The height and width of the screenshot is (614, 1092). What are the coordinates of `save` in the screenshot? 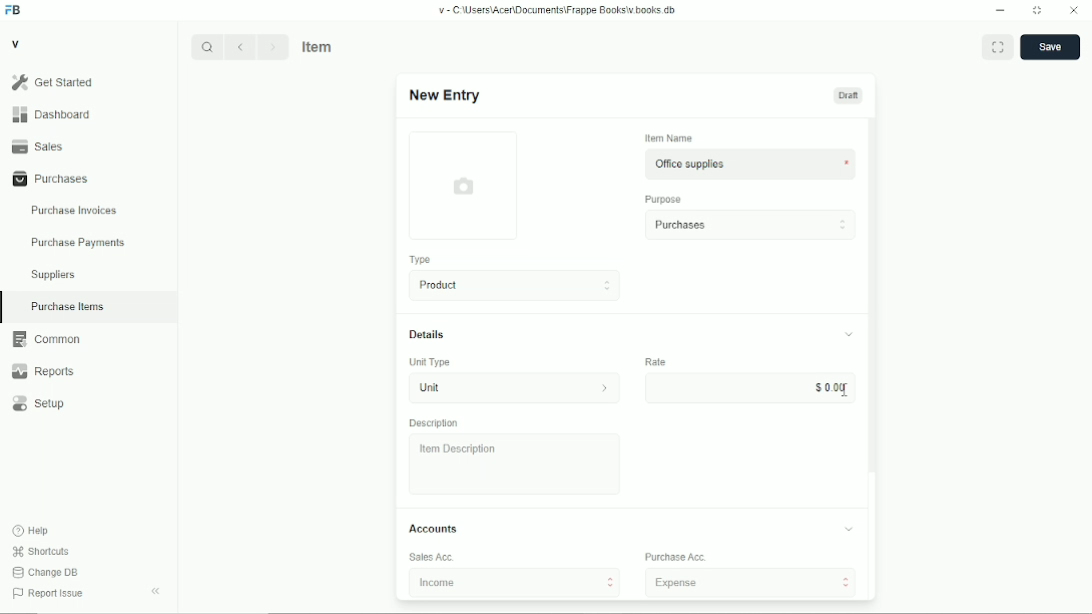 It's located at (1051, 47).